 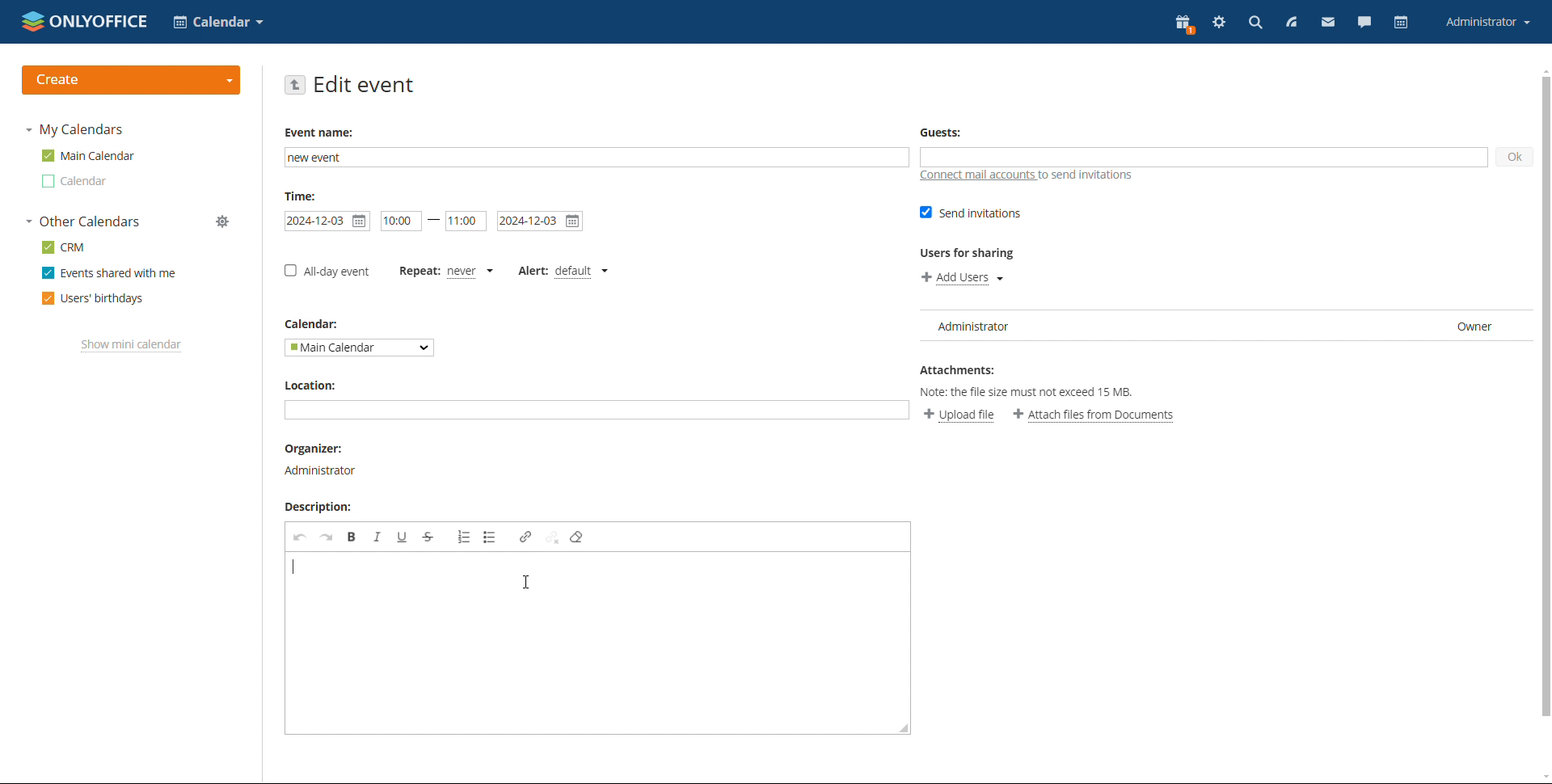 I want to click on Description:, so click(x=314, y=508).